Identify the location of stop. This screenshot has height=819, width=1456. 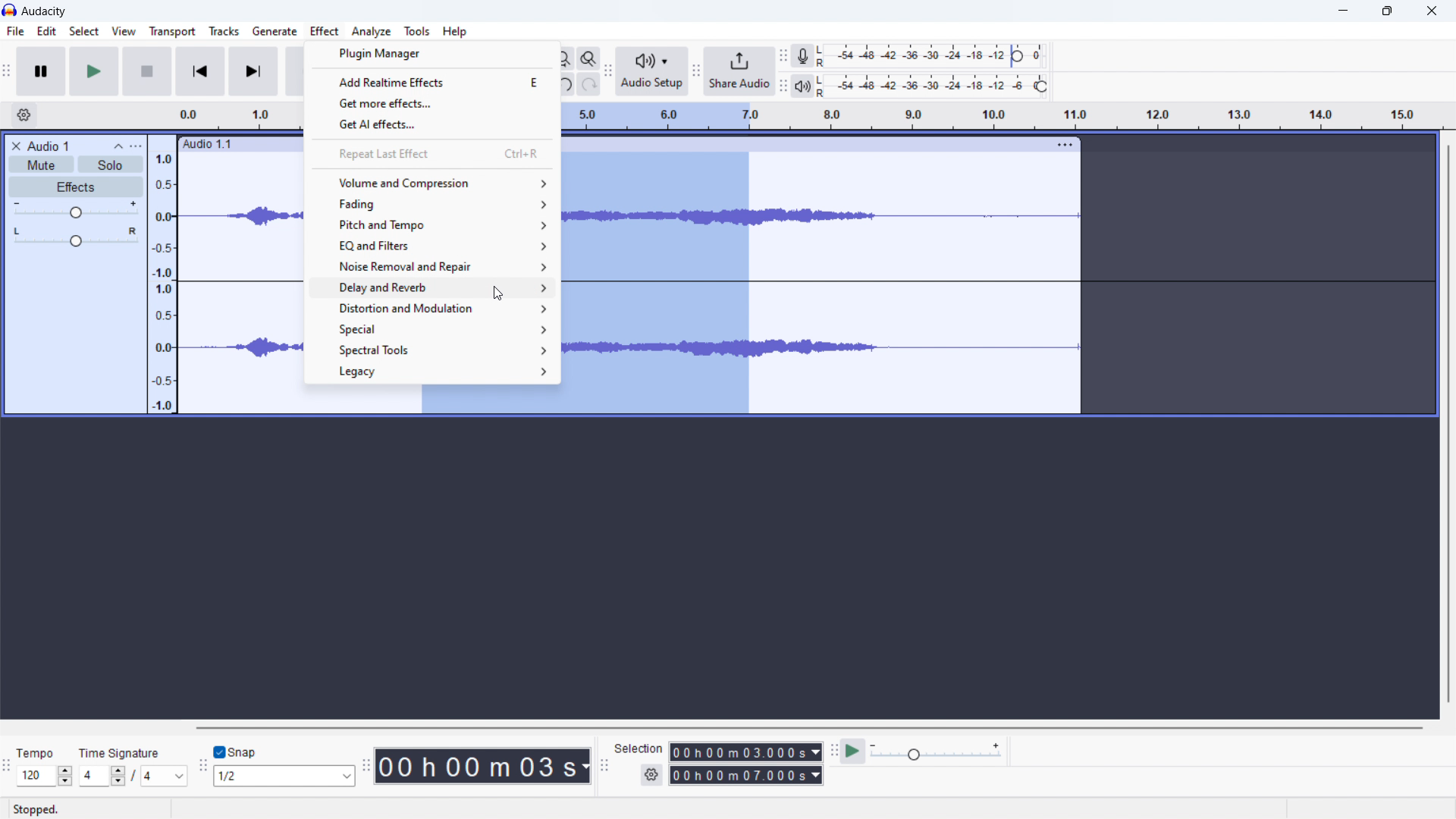
(147, 71).